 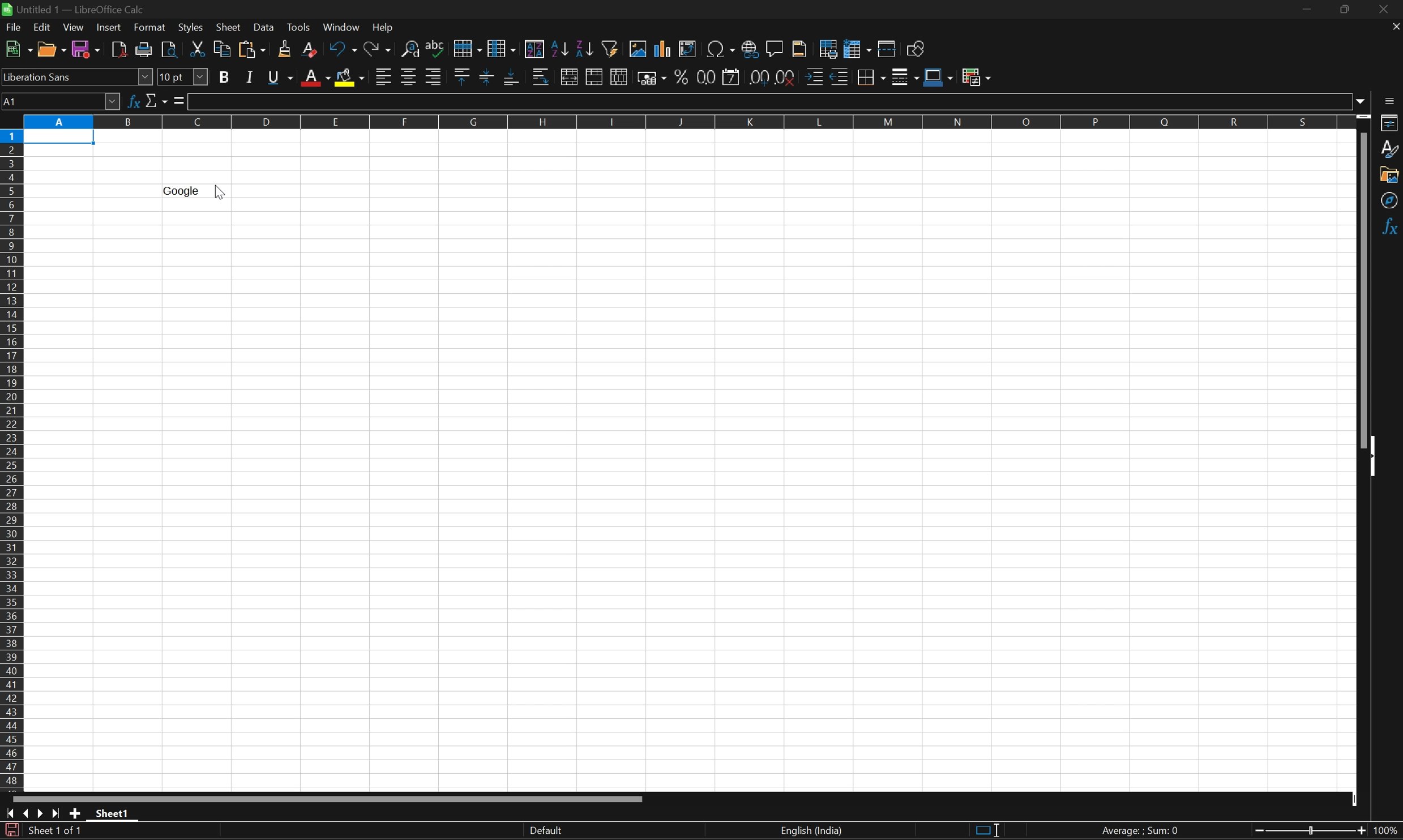 I want to click on Select formula, so click(x=179, y=99).